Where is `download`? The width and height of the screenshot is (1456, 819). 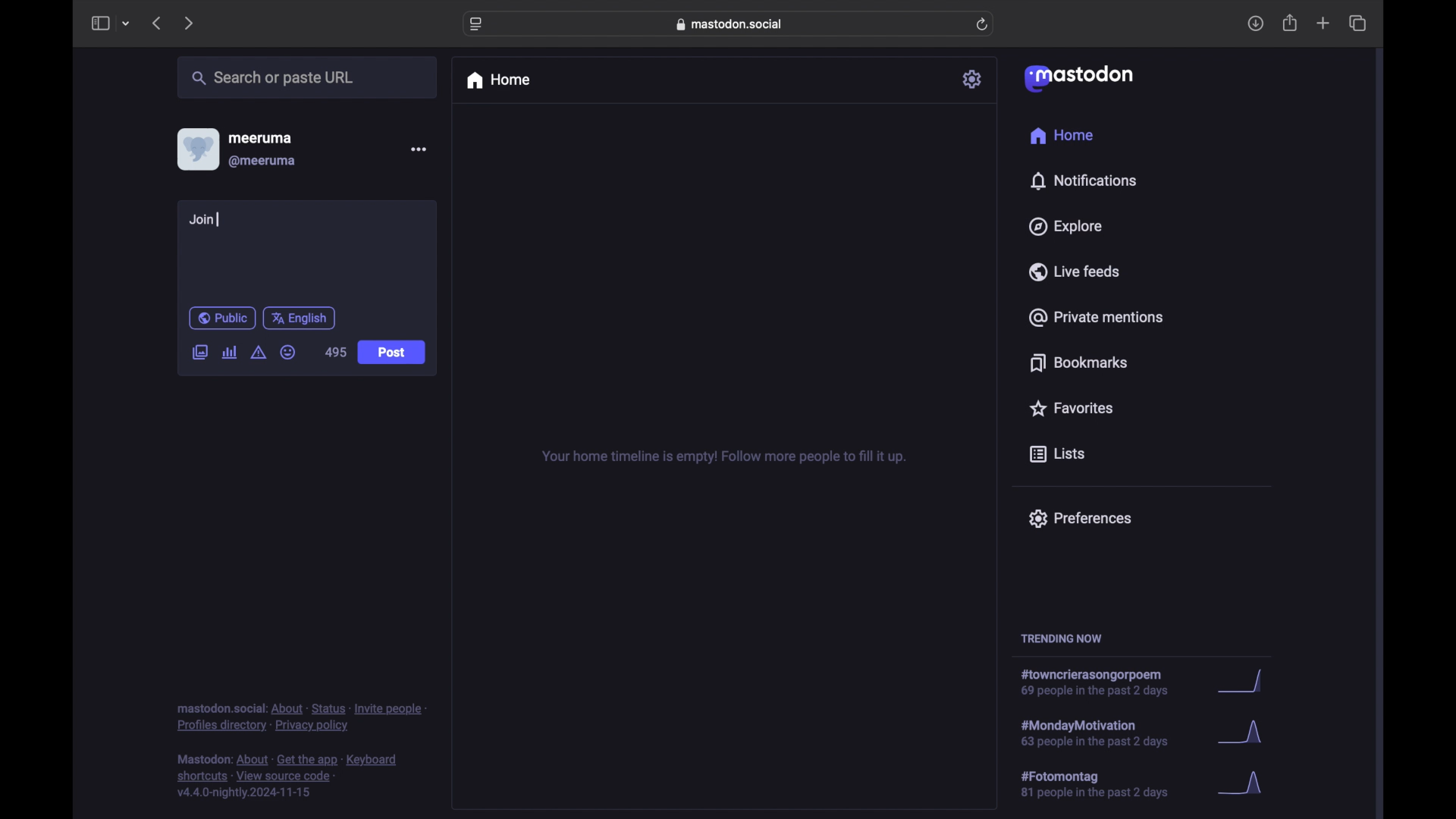
download is located at coordinates (1256, 24).